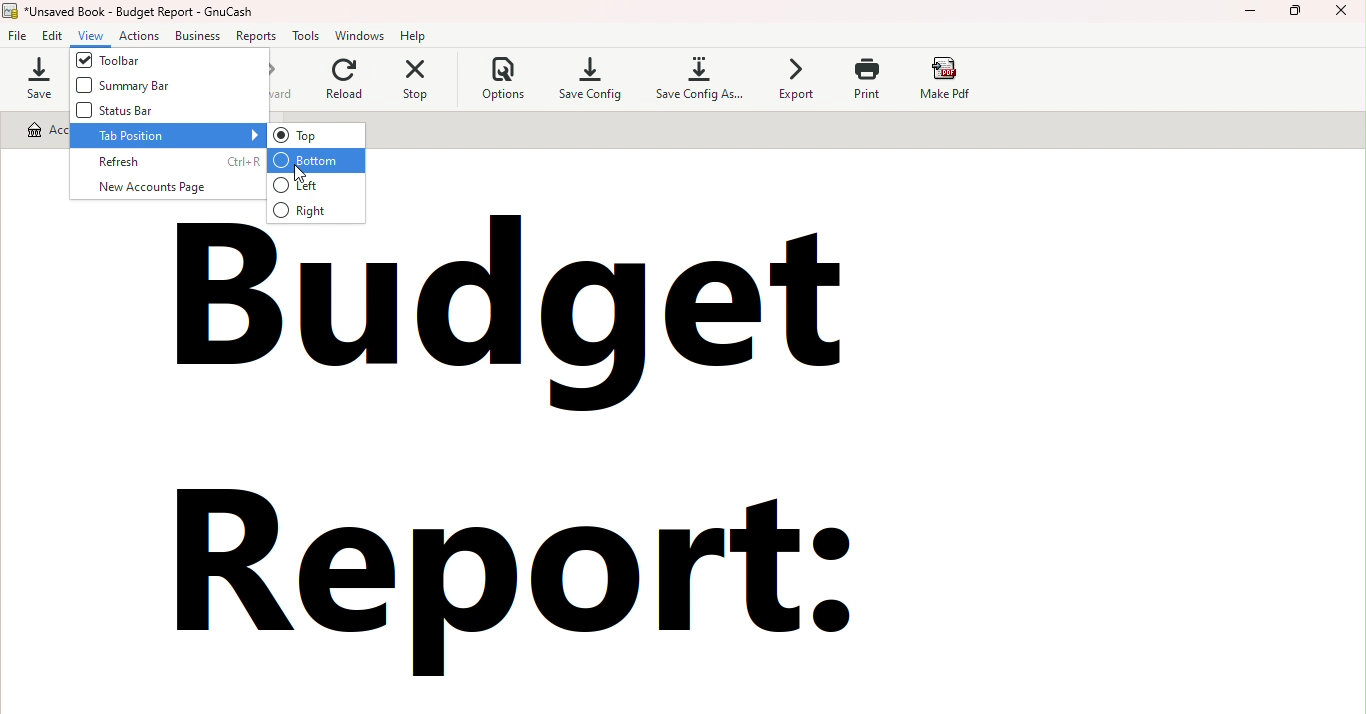  Describe the element at coordinates (588, 81) in the screenshot. I see `Save config` at that location.